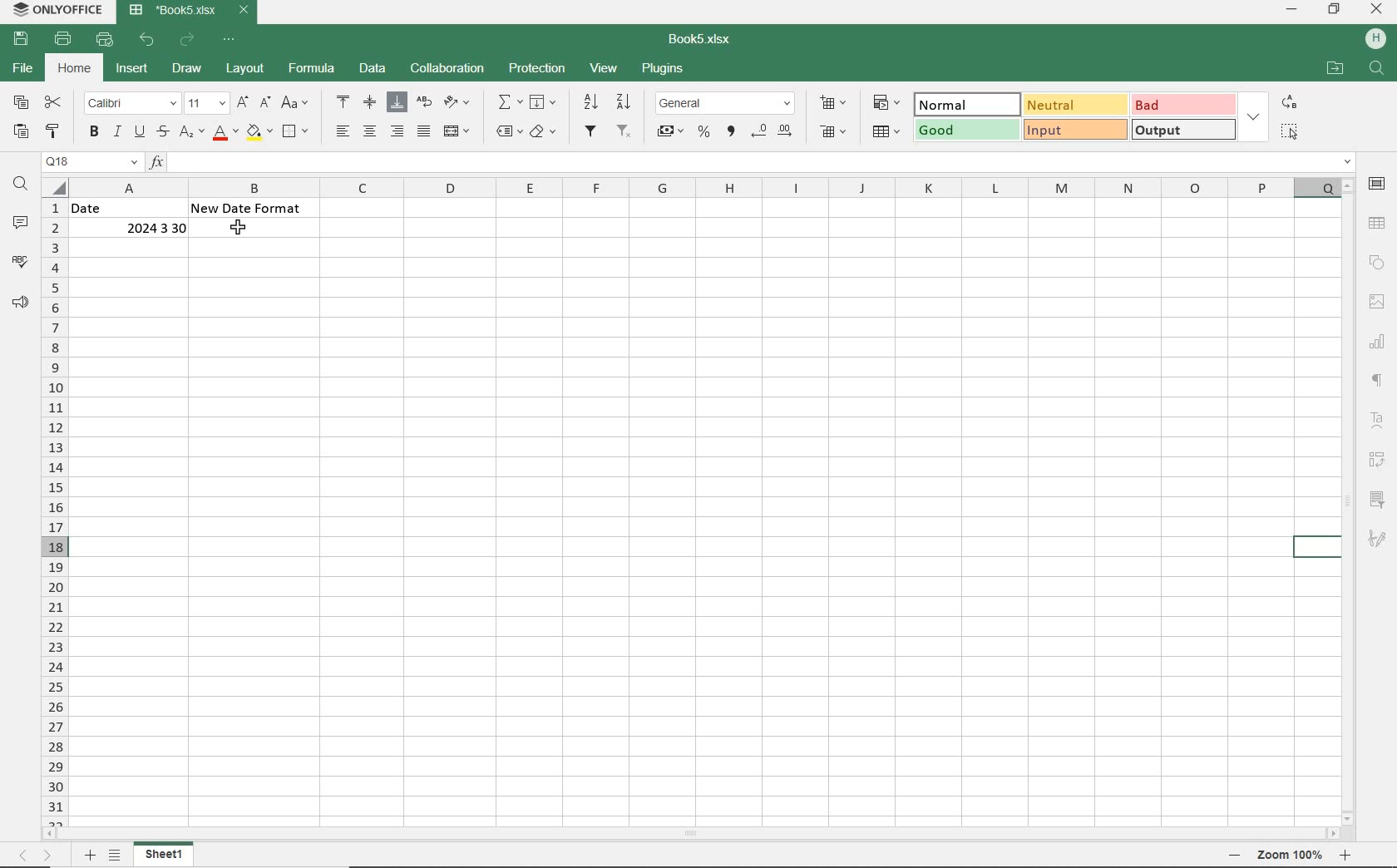 This screenshot has height=868, width=1397. Describe the element at coordinates (833, 132) in the screenshot. I see `DELETE CELLS` at that location.